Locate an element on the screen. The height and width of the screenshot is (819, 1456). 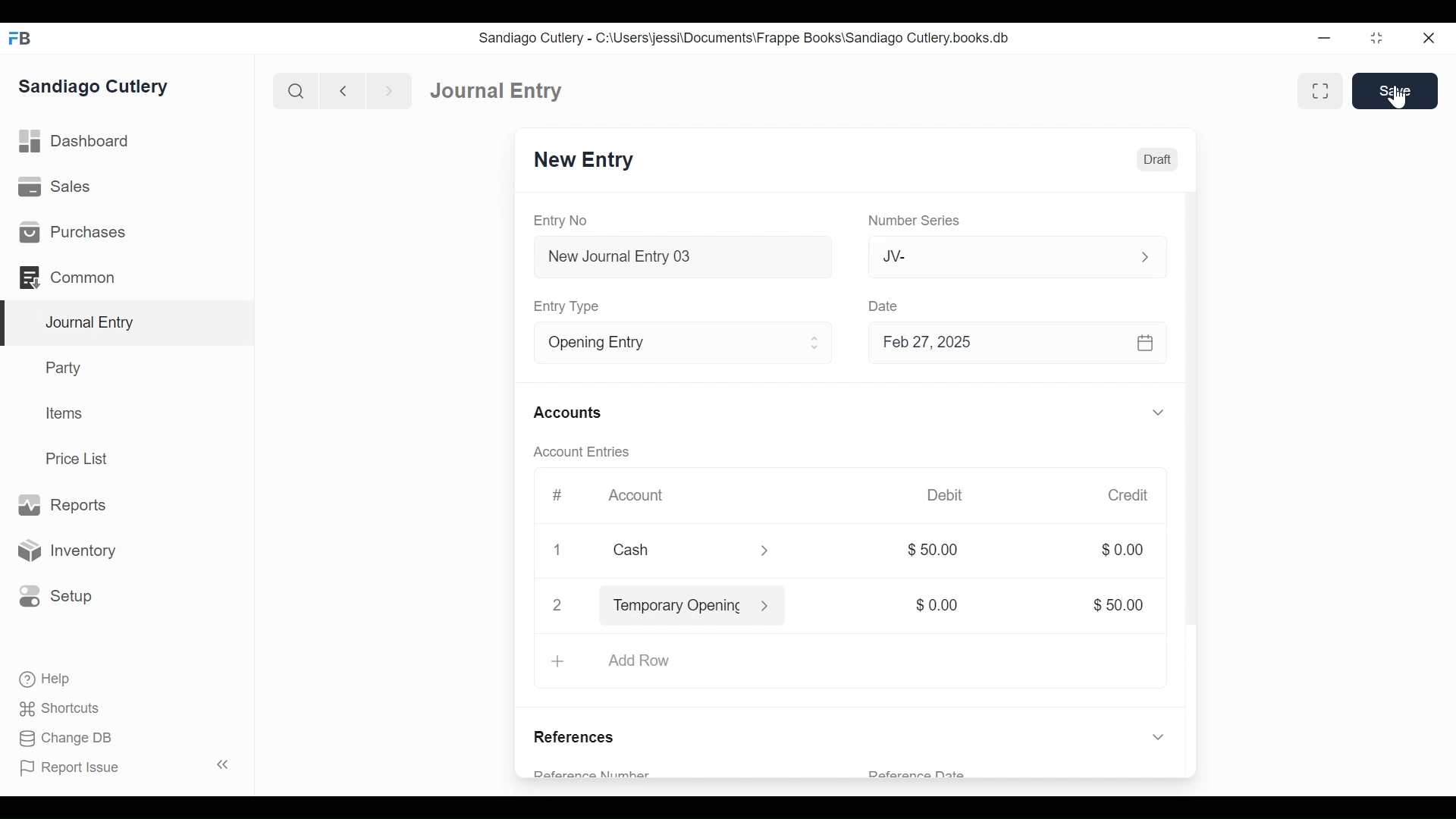
Shortcuts is located at coordinates (61, 711).